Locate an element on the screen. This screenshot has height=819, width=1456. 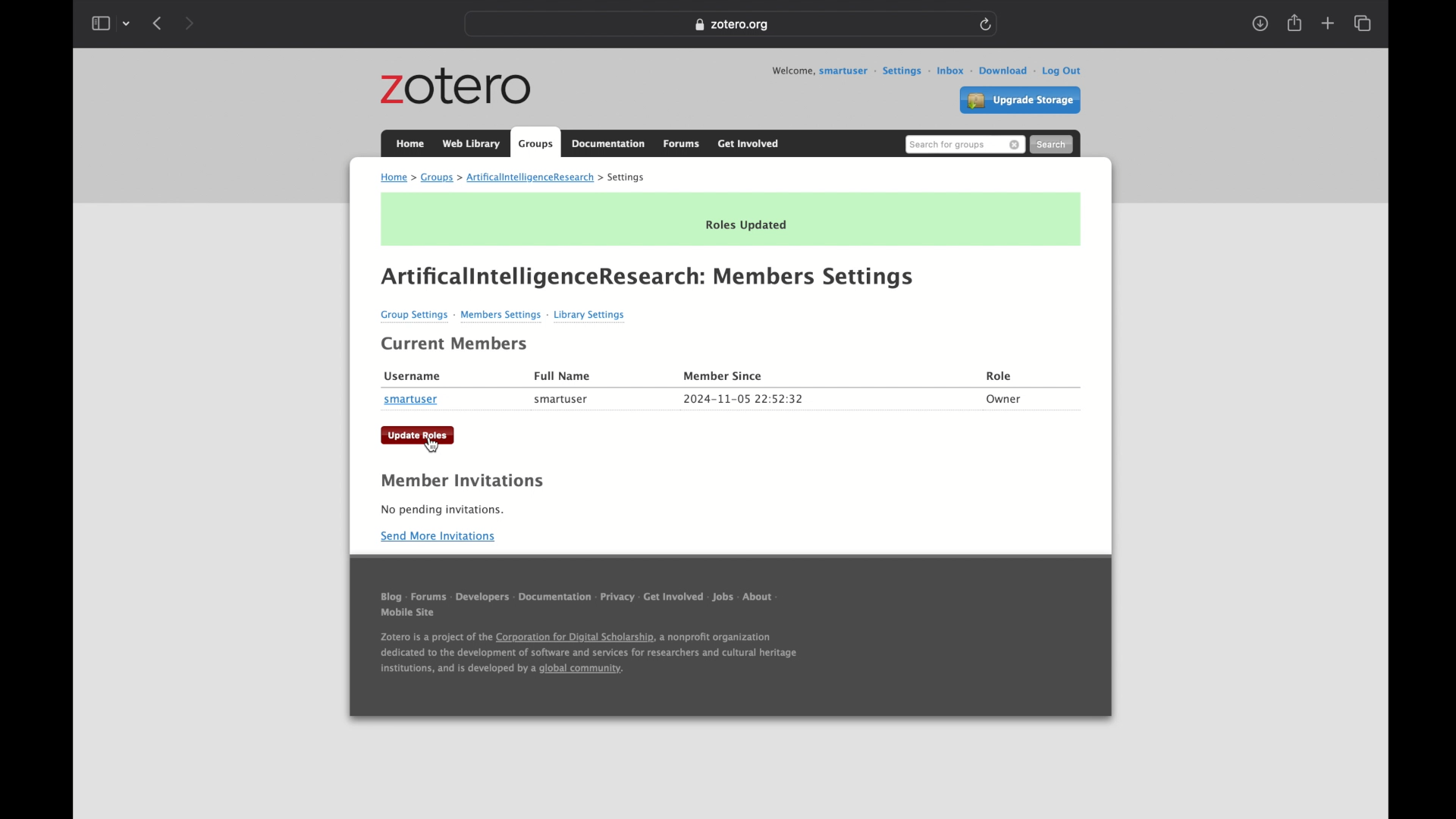
home is located at coordinates (411, 143).